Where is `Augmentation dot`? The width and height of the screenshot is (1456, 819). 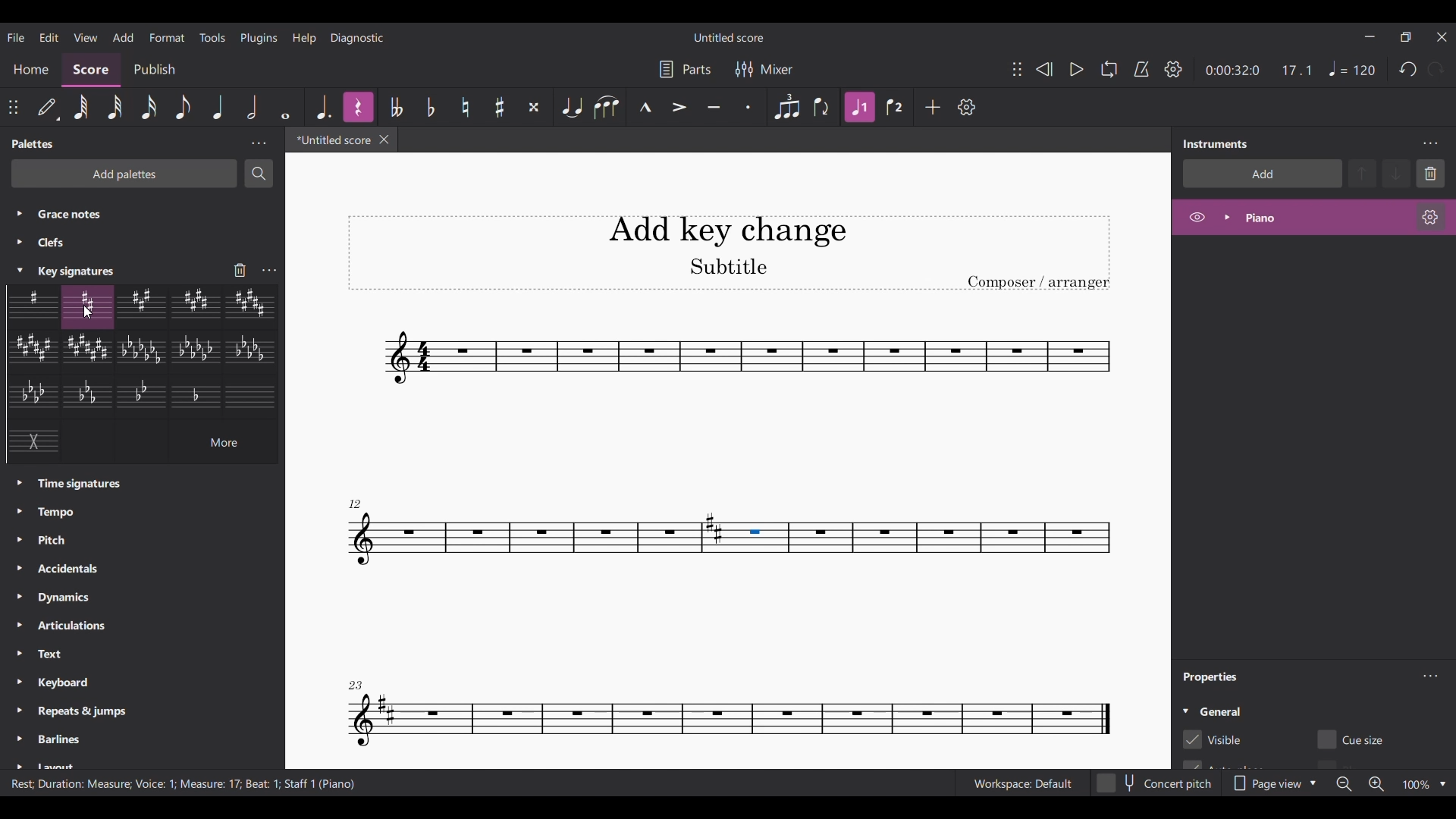
Augmentation dot is located at coordinates (325, 107).